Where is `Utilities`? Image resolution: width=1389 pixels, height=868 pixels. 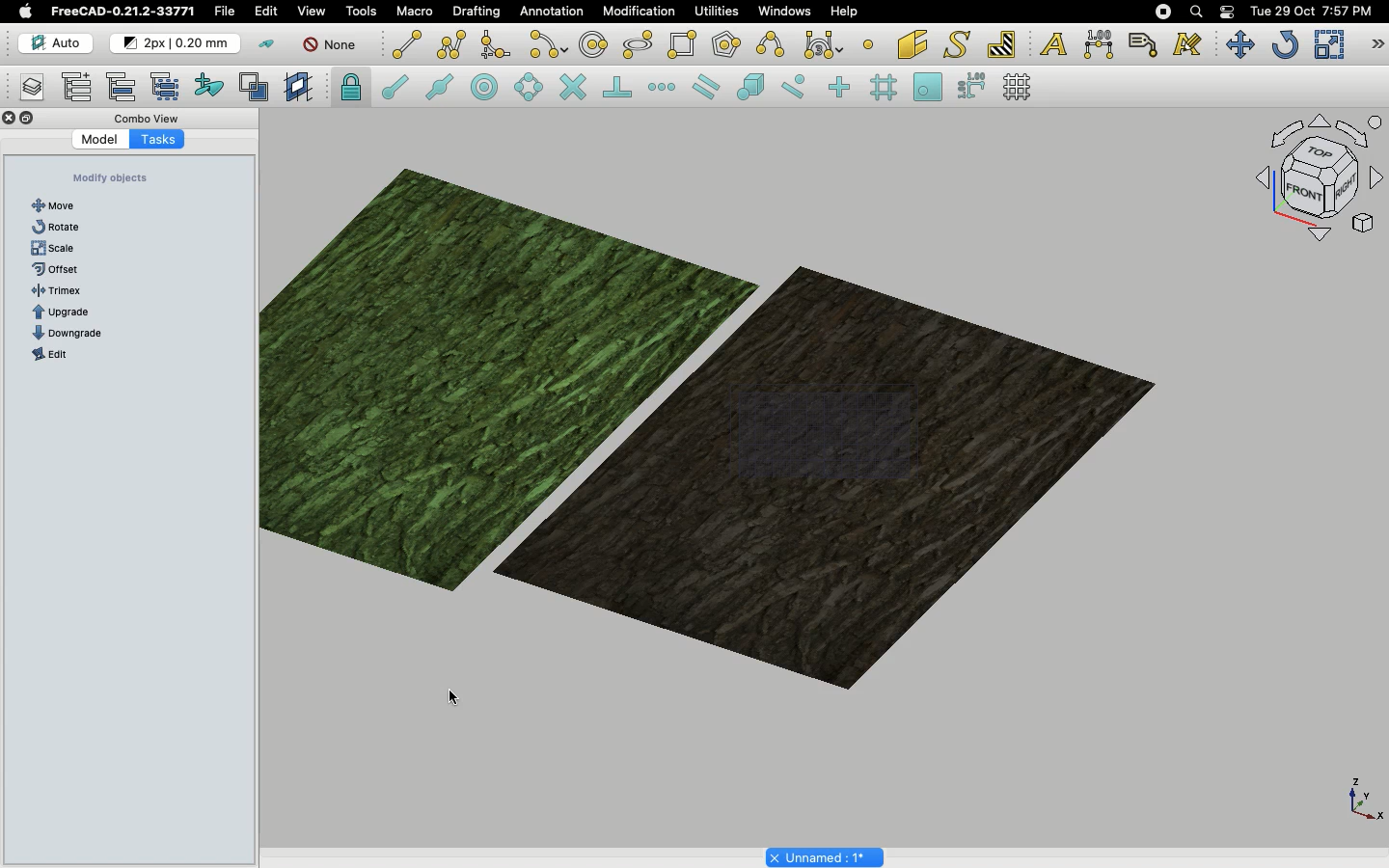
Utilities is located at coordinates (717, 12).